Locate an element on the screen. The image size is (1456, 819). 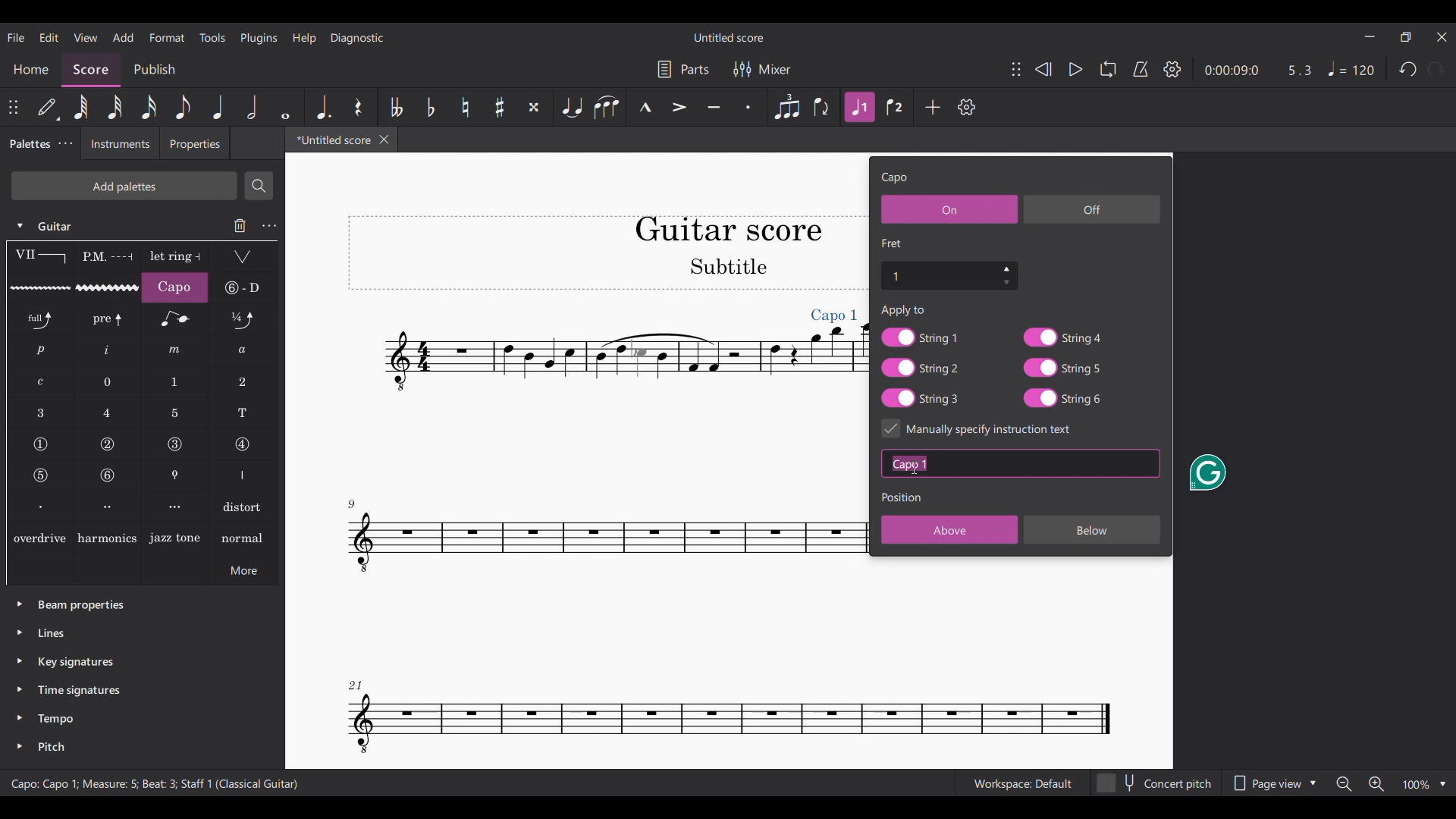
LH guitar fingering 1 is located at coordinates (176, 382).